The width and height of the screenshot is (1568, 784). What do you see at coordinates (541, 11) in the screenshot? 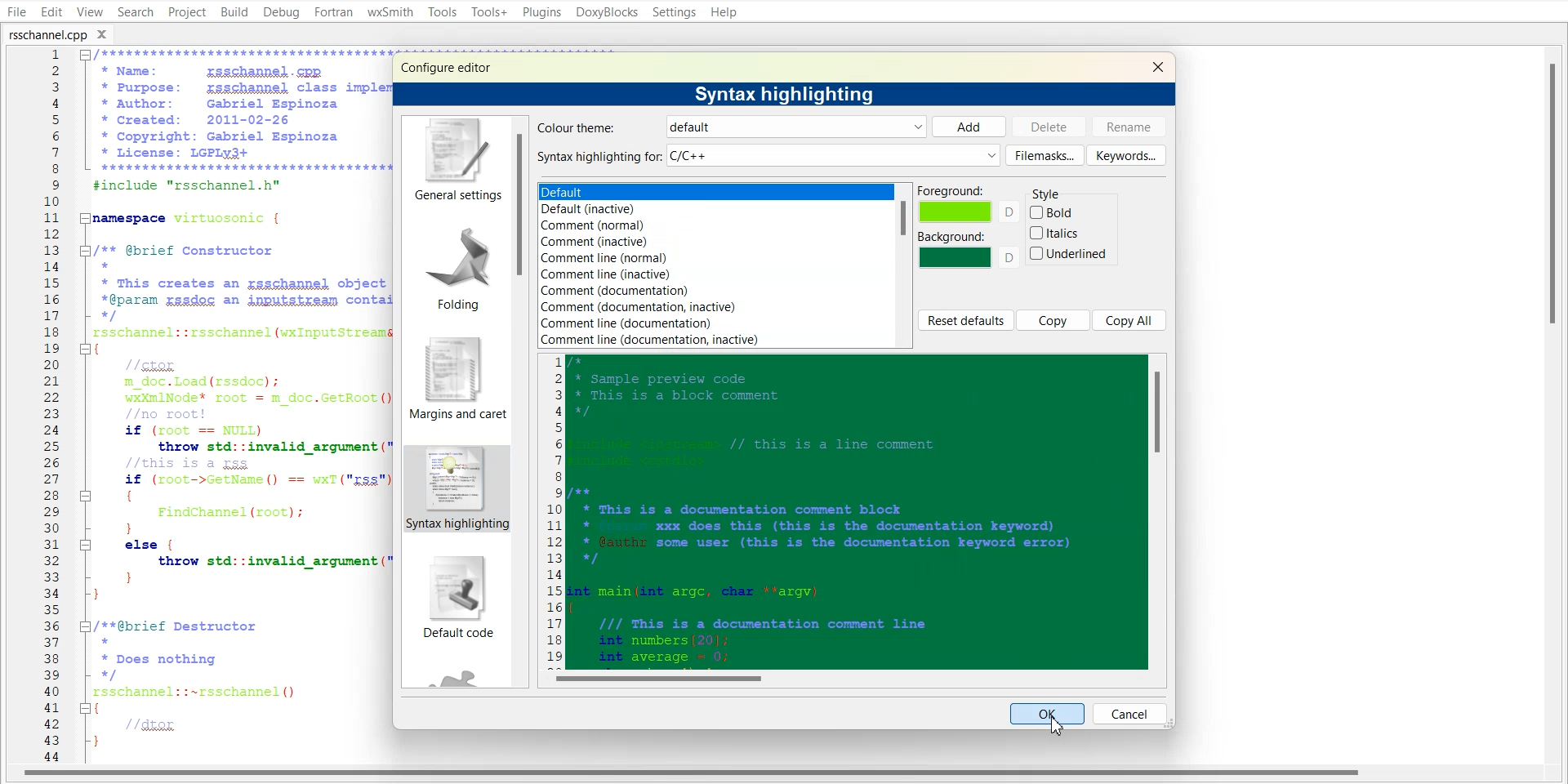
I see `Plugins` at bounding box center [541, 11].